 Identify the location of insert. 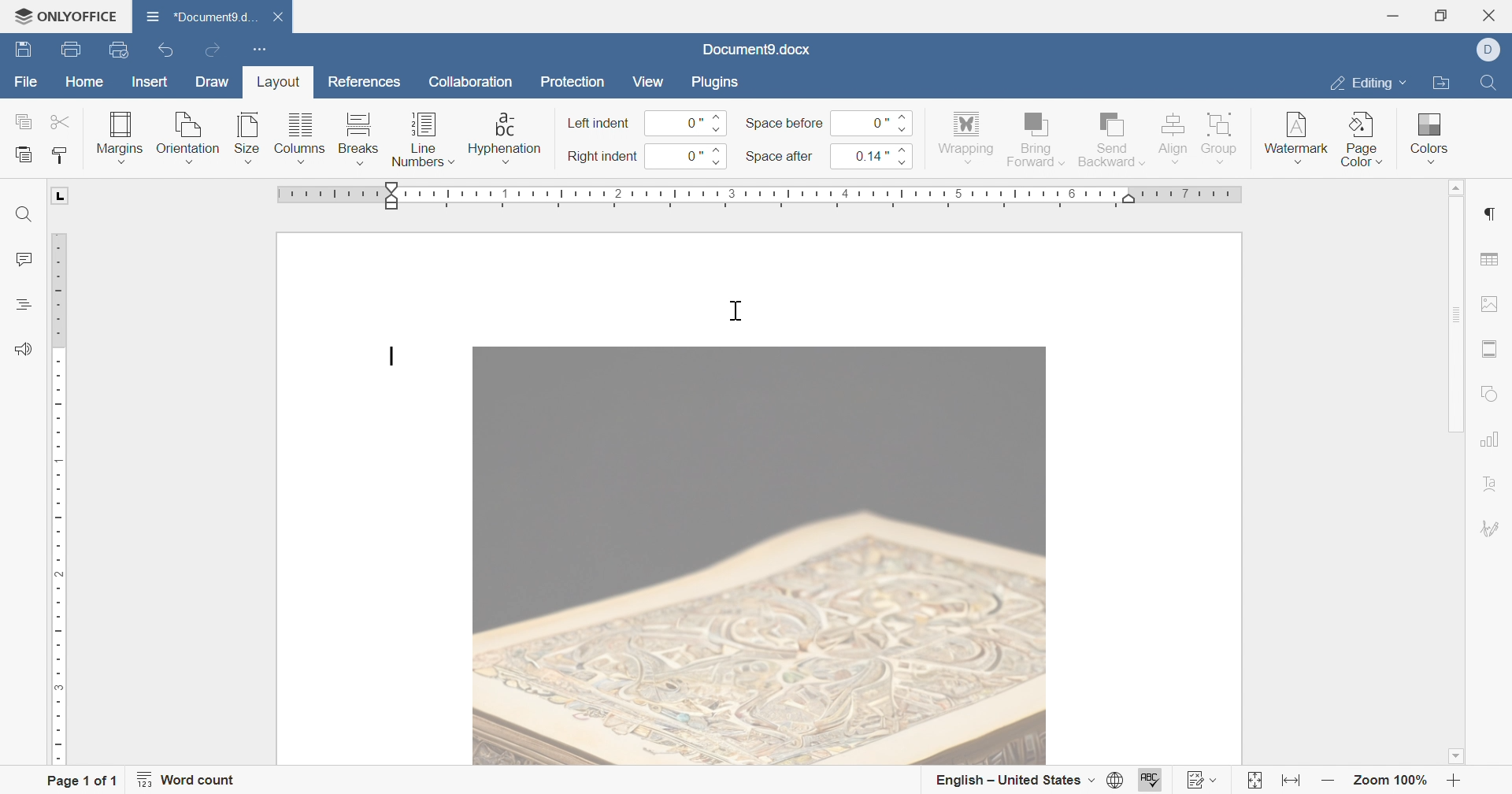
(146, 83).